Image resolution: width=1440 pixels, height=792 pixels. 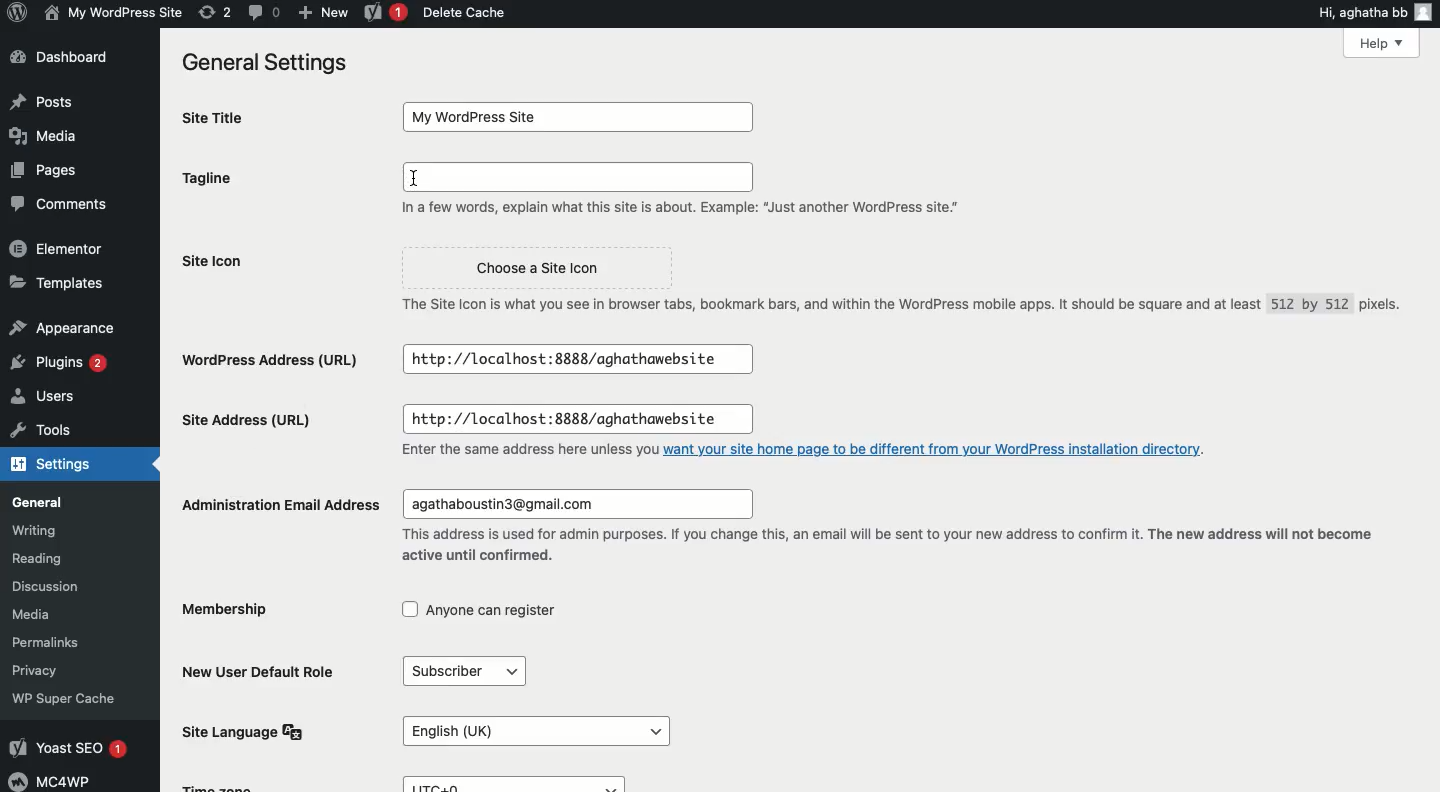 I want to click on General, so click(x=65, y=502).